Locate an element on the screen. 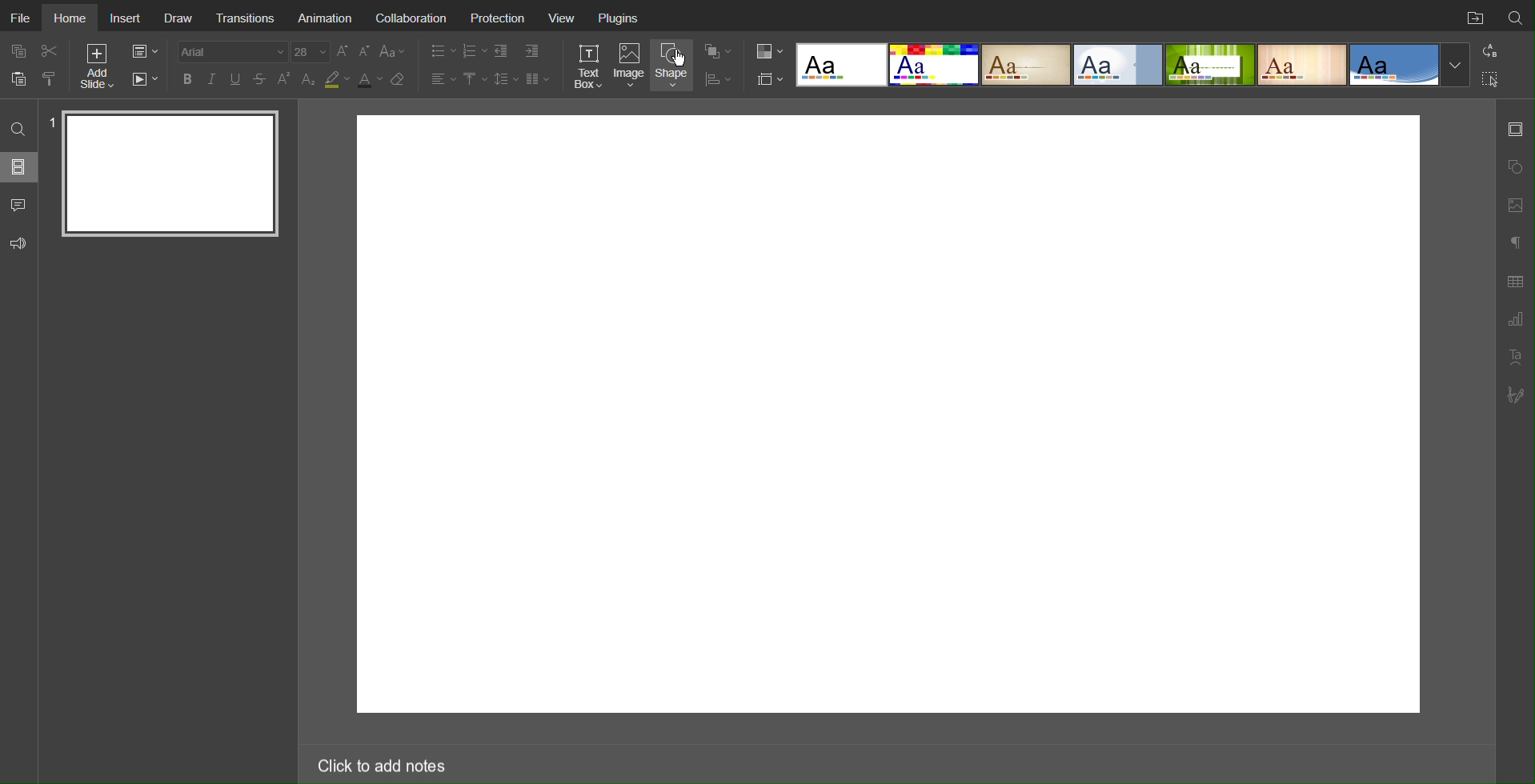  copy style is located at coordinates (55, 78).